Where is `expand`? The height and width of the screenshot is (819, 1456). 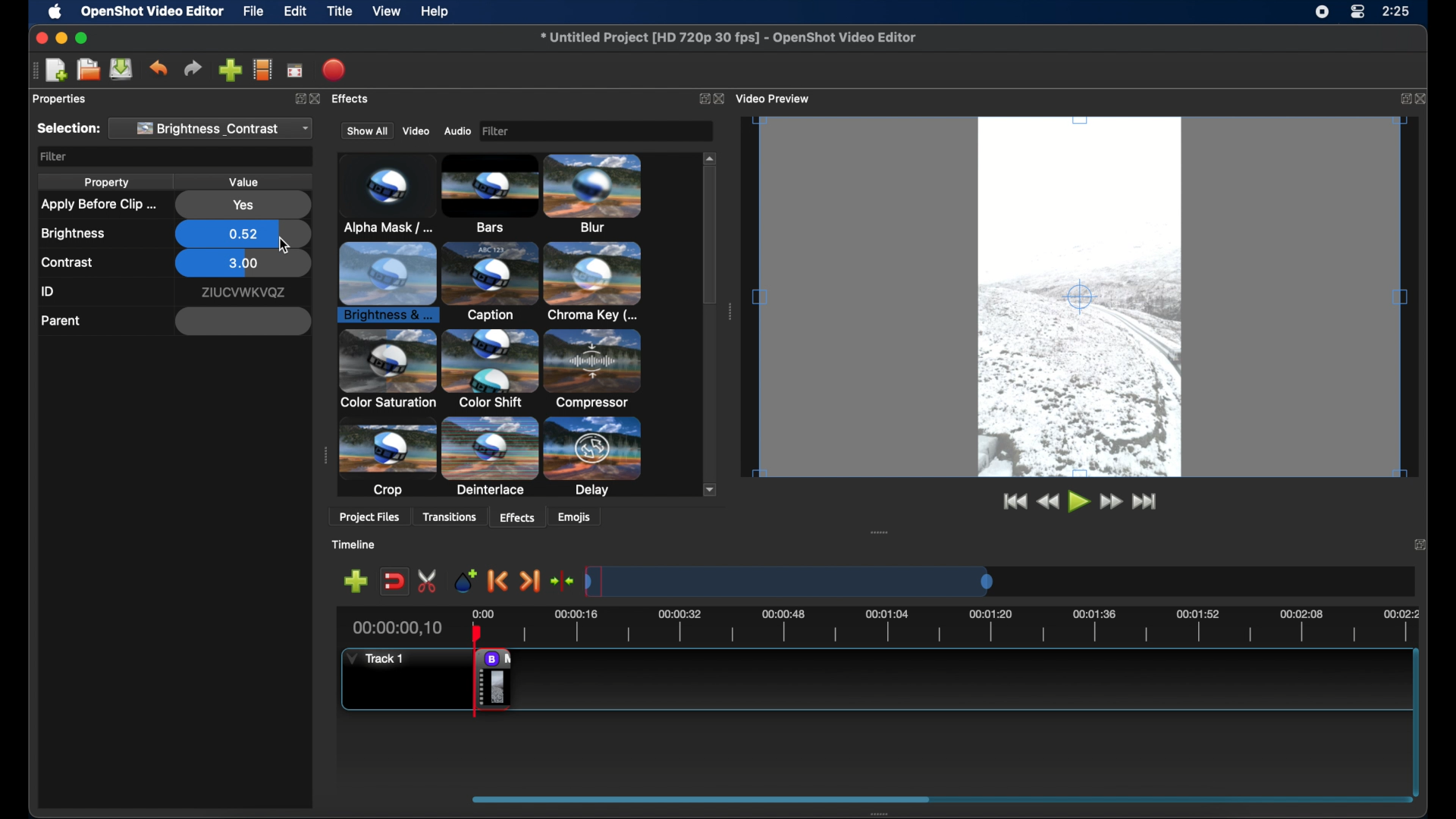 expand is located at coordinates (301, 100).